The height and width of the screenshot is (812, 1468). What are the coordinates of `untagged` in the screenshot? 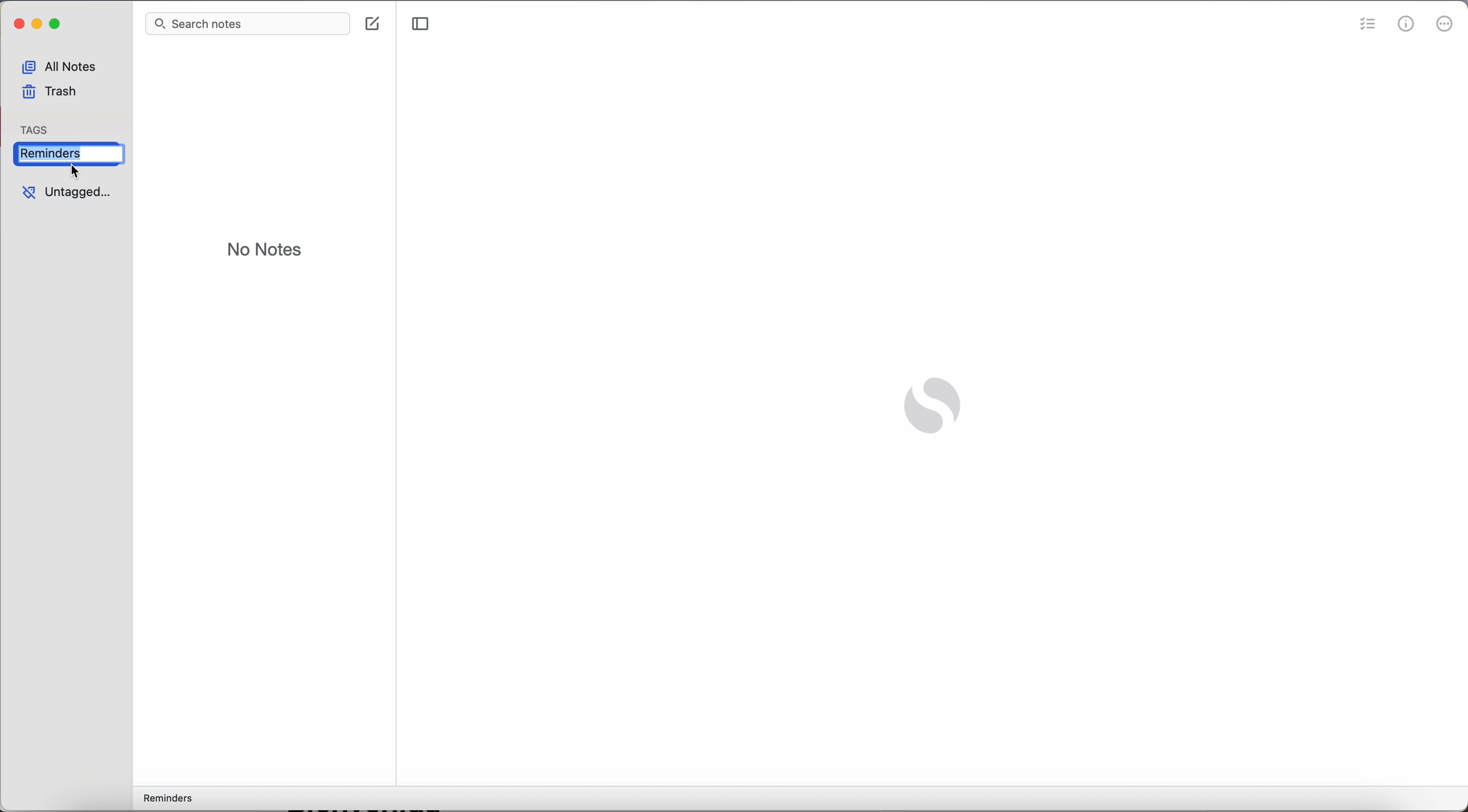 It's located at (59, 193).